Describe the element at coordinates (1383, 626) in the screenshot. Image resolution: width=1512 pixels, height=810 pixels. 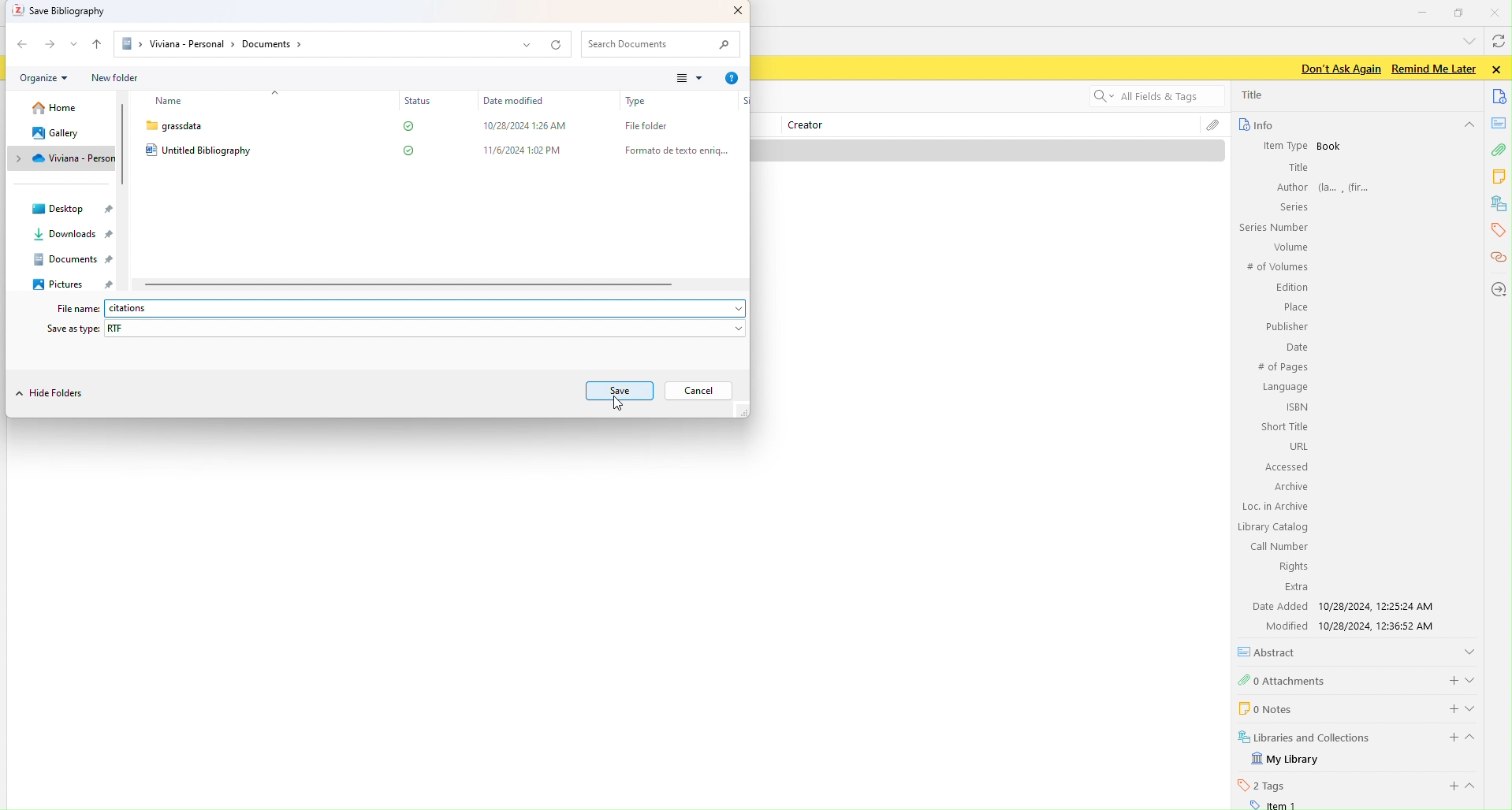
I see `10/28/2024, 12:36:52 AM` at that location.